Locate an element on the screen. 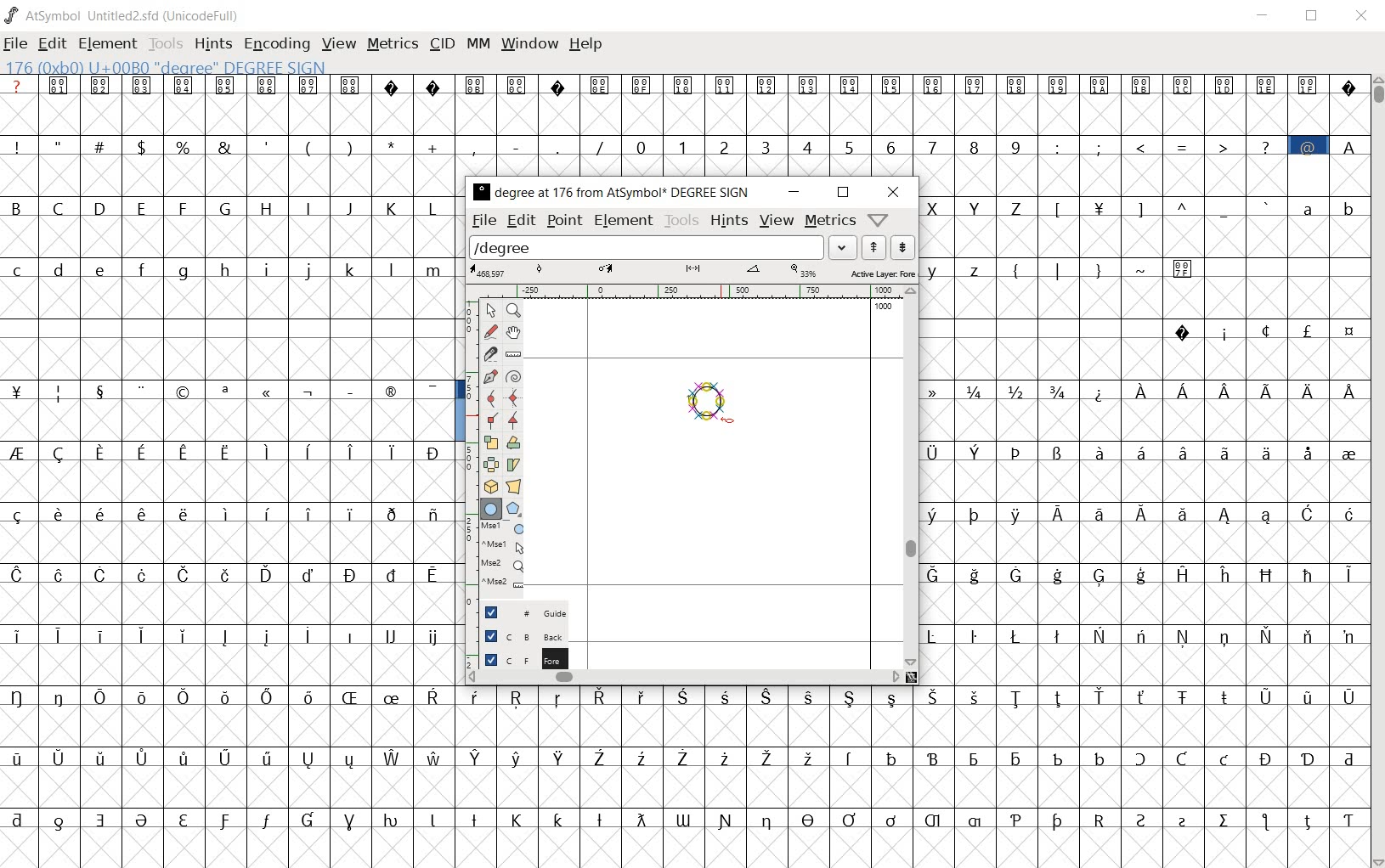 The image size is (1385, 868). minimize is located at coordinates (1263, 15).